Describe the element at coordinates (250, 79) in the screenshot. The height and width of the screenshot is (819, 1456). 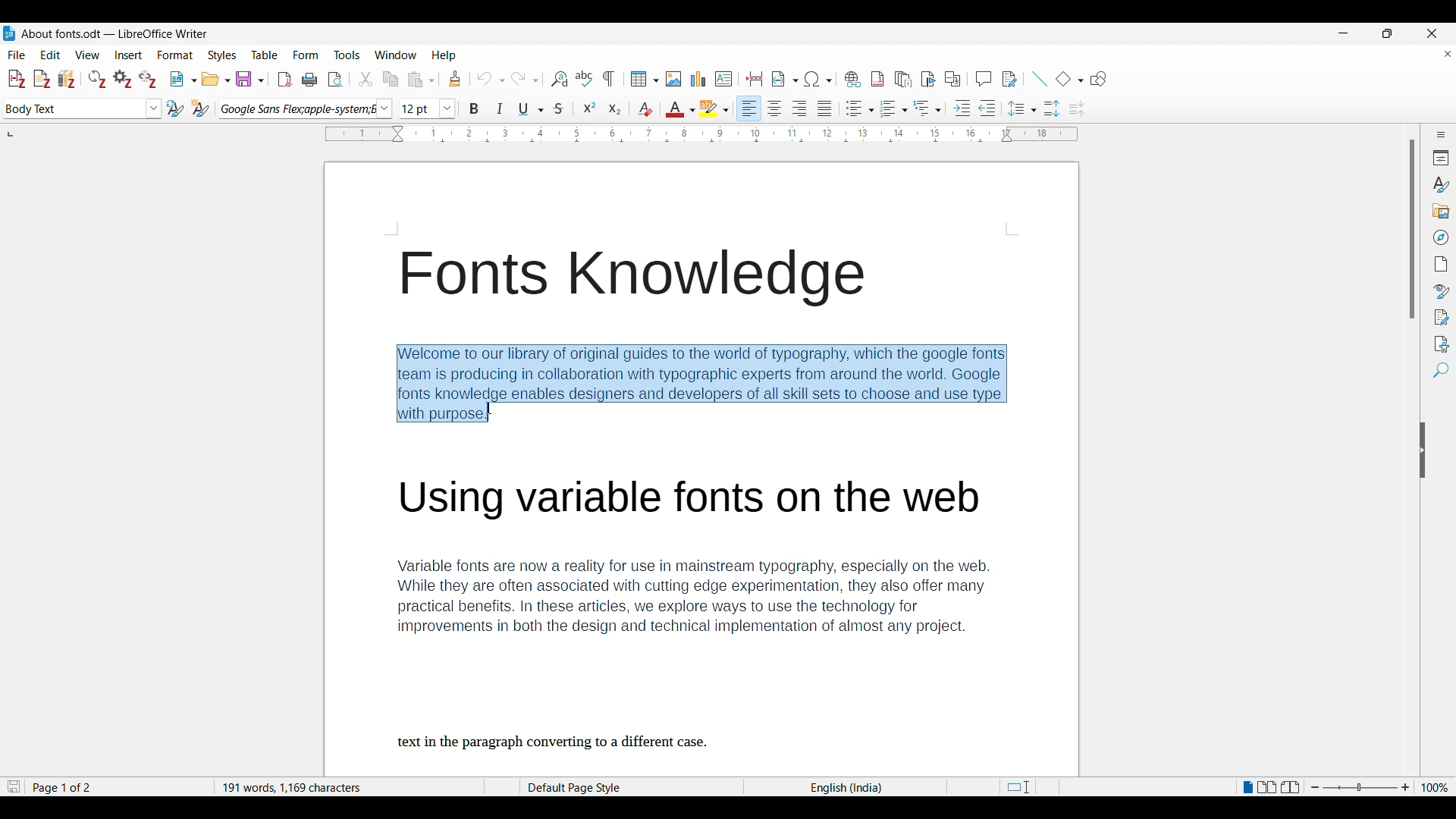
I see `Save` at that location.